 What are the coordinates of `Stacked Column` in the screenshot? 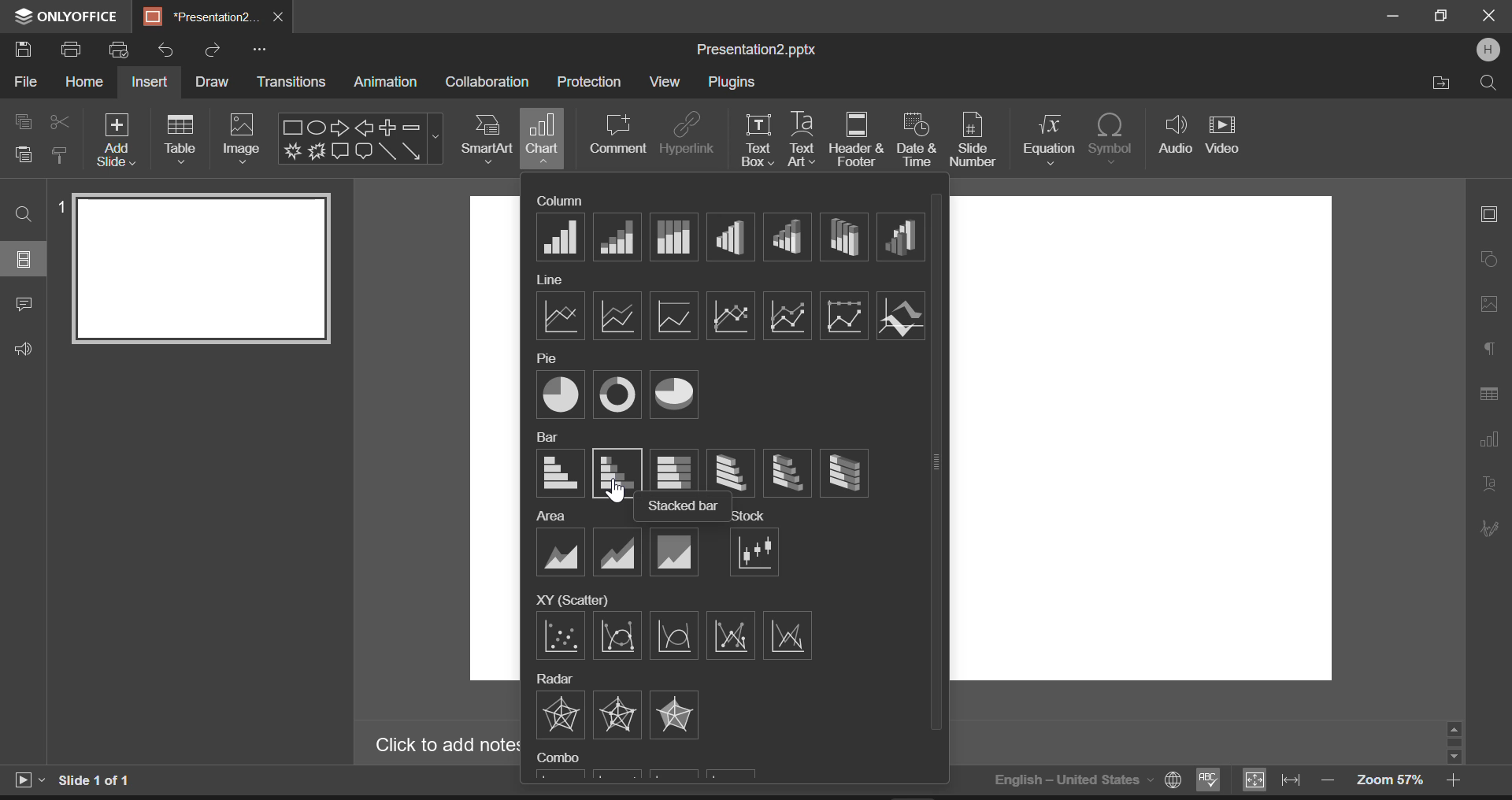 It's located at (616, 237).